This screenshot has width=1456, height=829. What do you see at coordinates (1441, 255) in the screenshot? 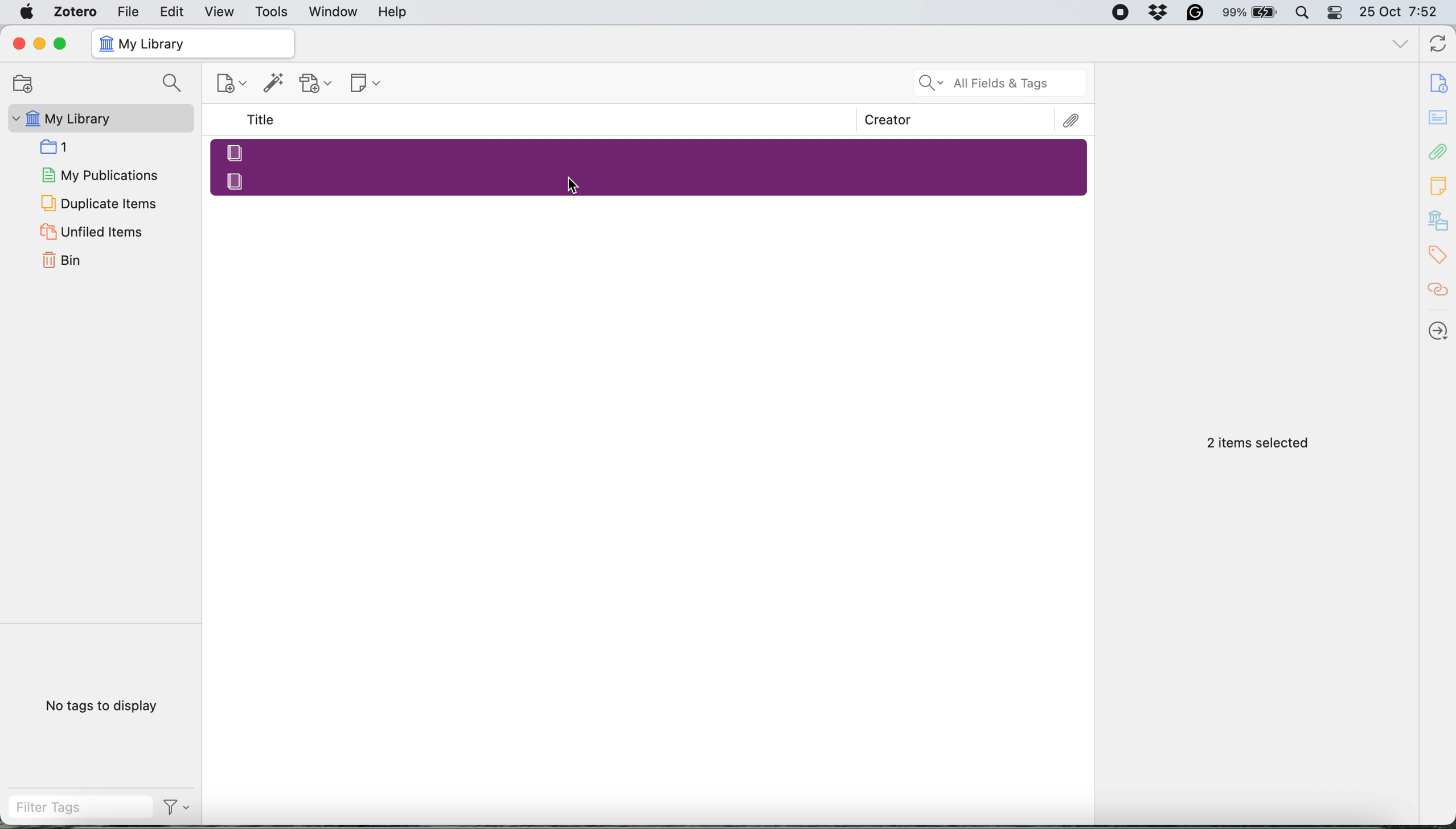
I see `Tags` at bounding box center [1441, 255].